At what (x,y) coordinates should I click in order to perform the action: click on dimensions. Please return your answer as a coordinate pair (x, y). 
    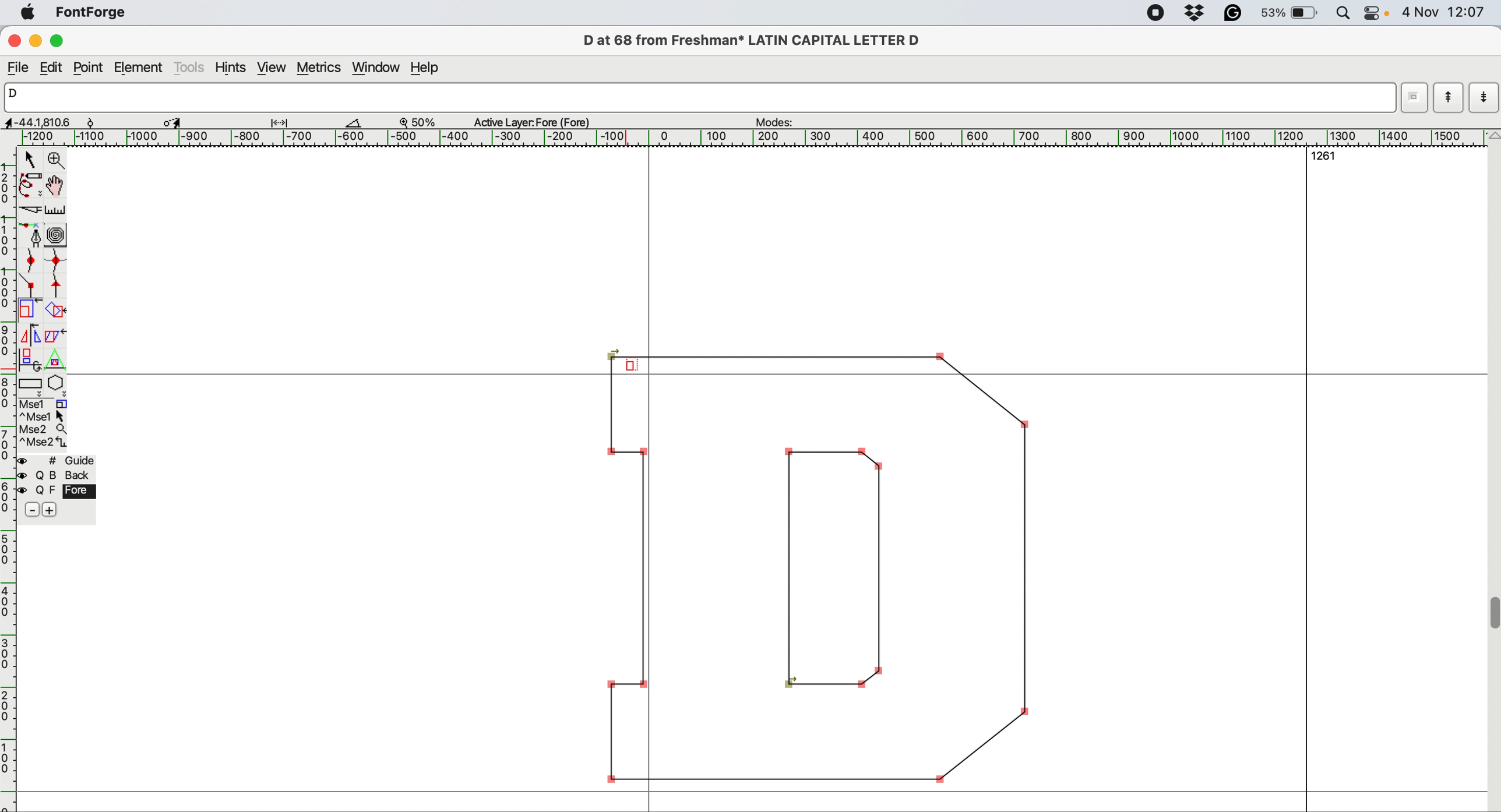
    Looking at the image, I should click on (170, 121).